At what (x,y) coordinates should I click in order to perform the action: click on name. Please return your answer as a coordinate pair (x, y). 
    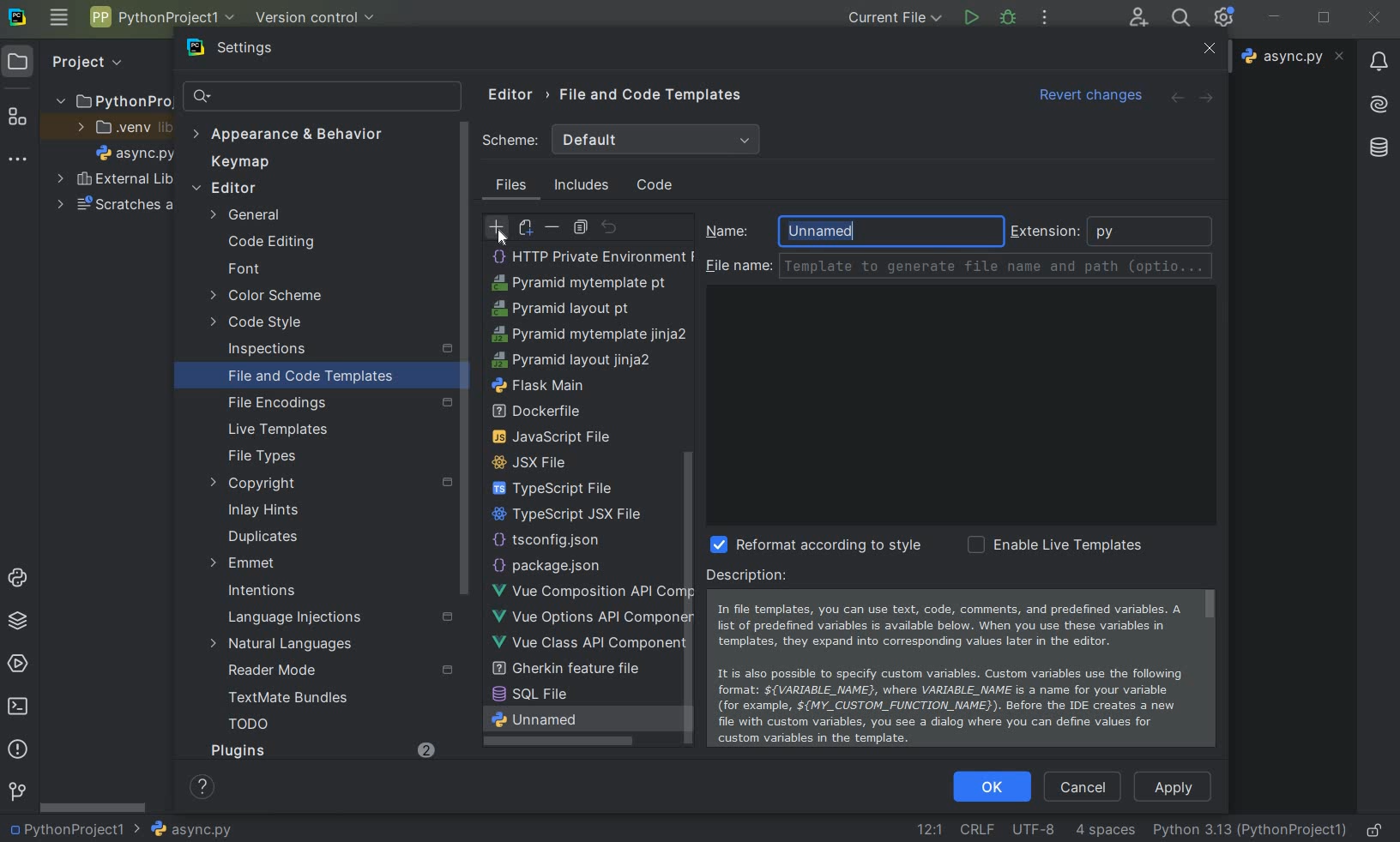
    Looking at the image, I should click on (730, 232).